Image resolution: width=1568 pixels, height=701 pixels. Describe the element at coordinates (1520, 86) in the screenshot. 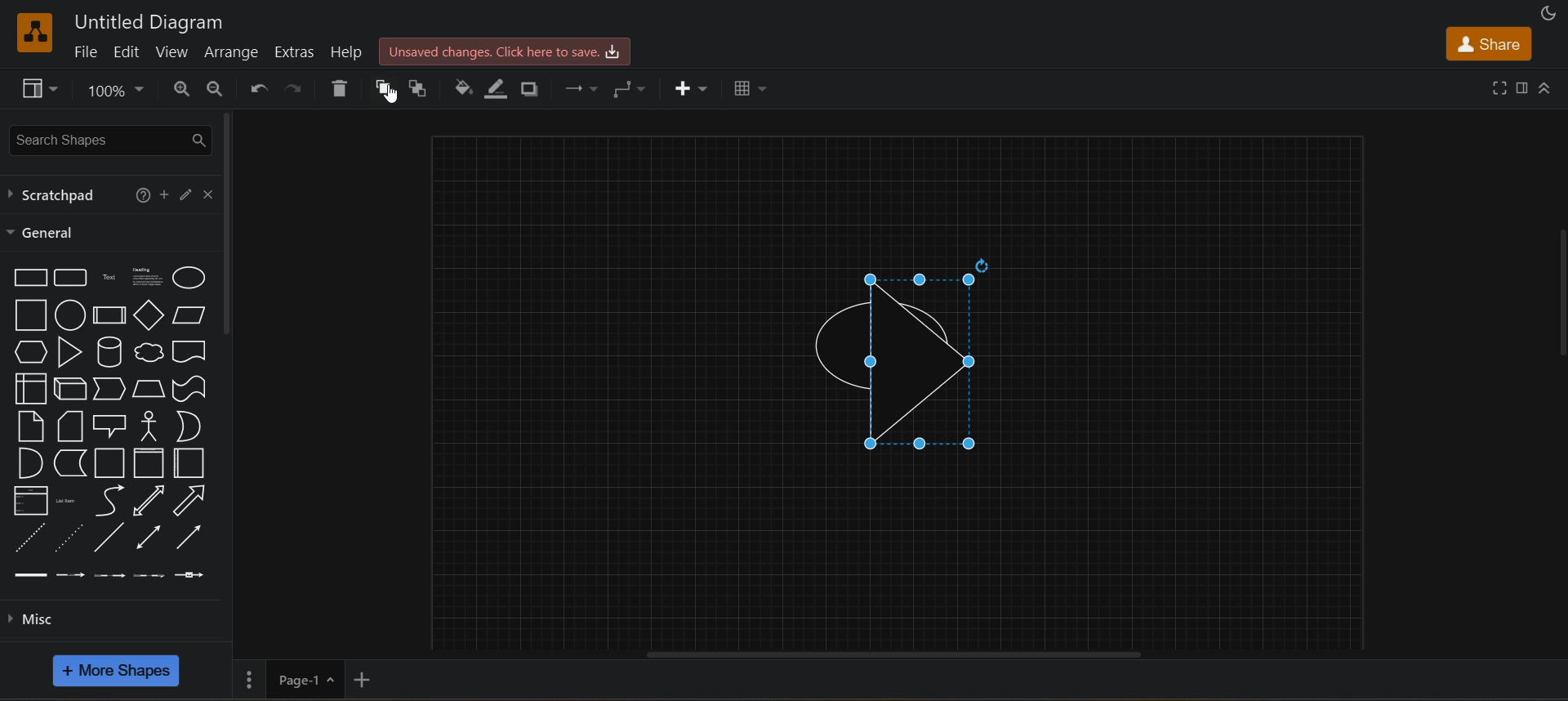

I see `format` at that location.